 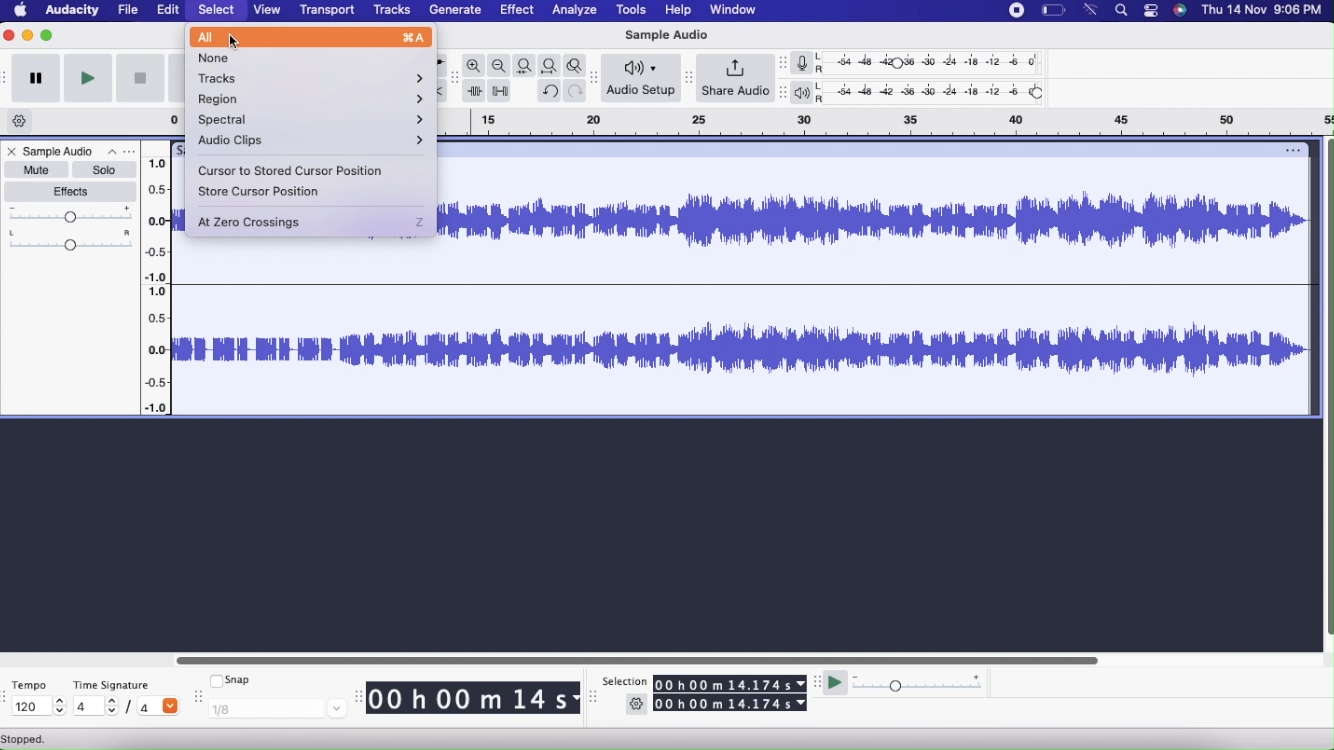 I want to click on Redo, so click(x=576, y=91).